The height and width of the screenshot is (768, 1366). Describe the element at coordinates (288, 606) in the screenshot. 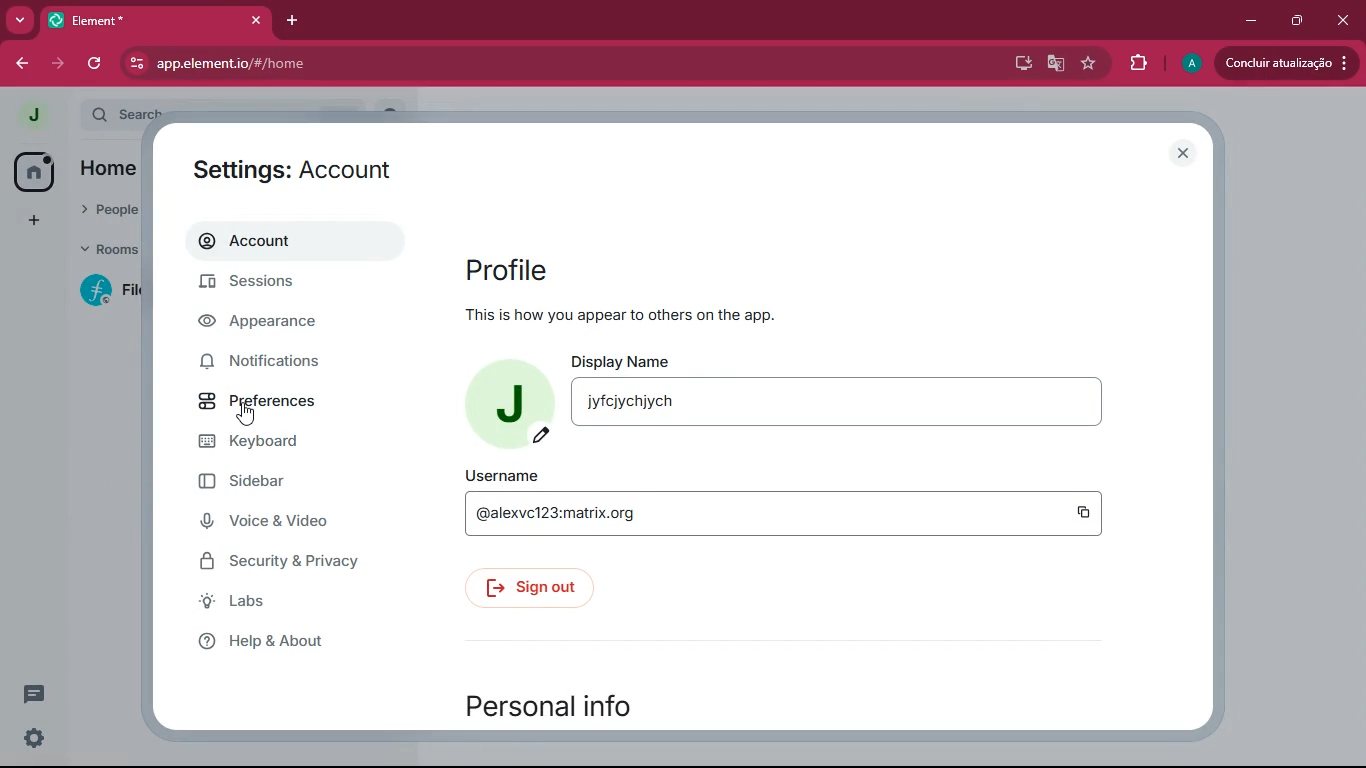

I see `labs` at that location.